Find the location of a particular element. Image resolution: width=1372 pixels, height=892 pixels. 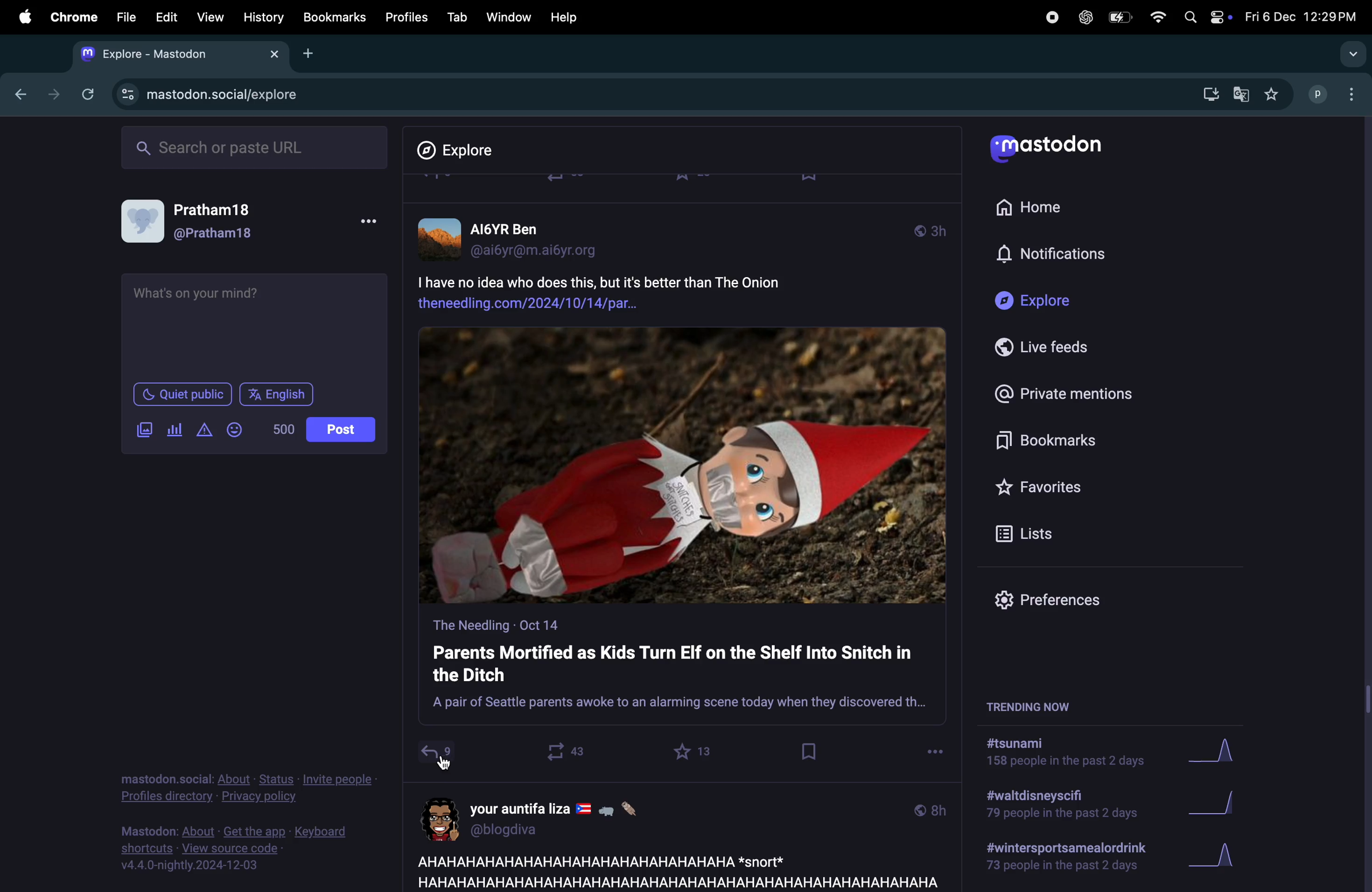

poll is located at coordinates (172, 430).